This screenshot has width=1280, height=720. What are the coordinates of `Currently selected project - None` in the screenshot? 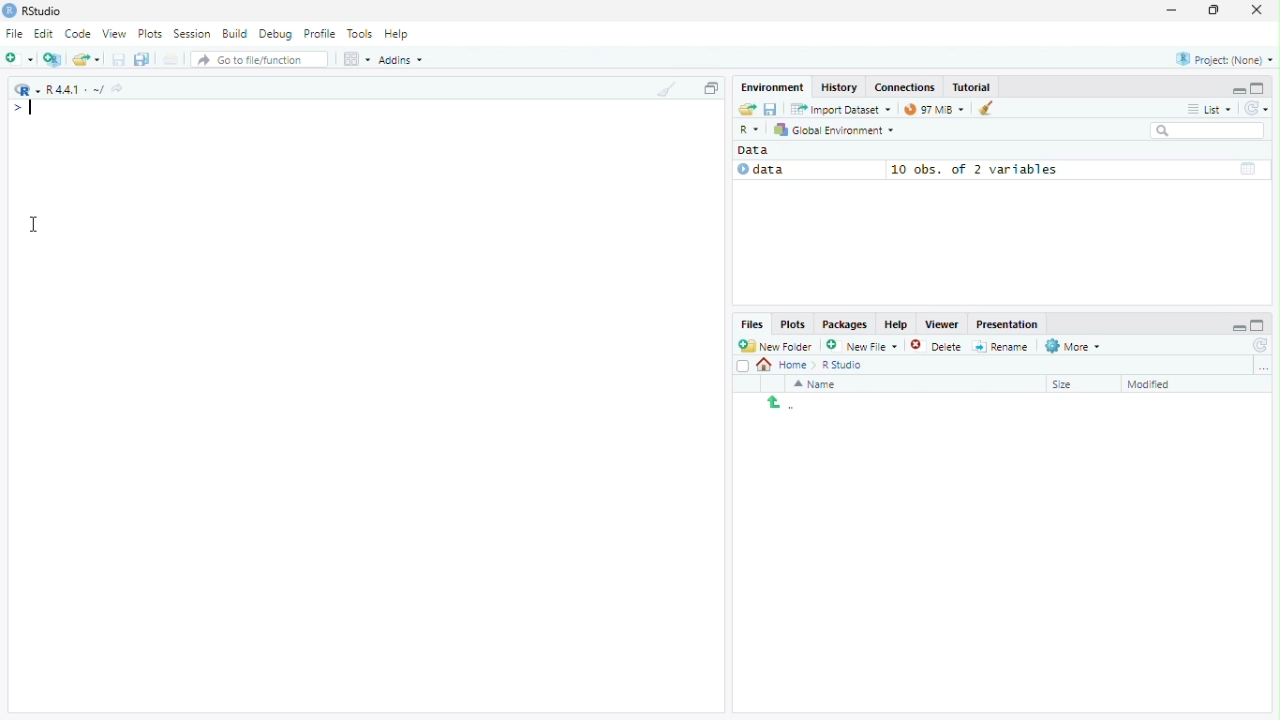 It's located at (1223, 58).